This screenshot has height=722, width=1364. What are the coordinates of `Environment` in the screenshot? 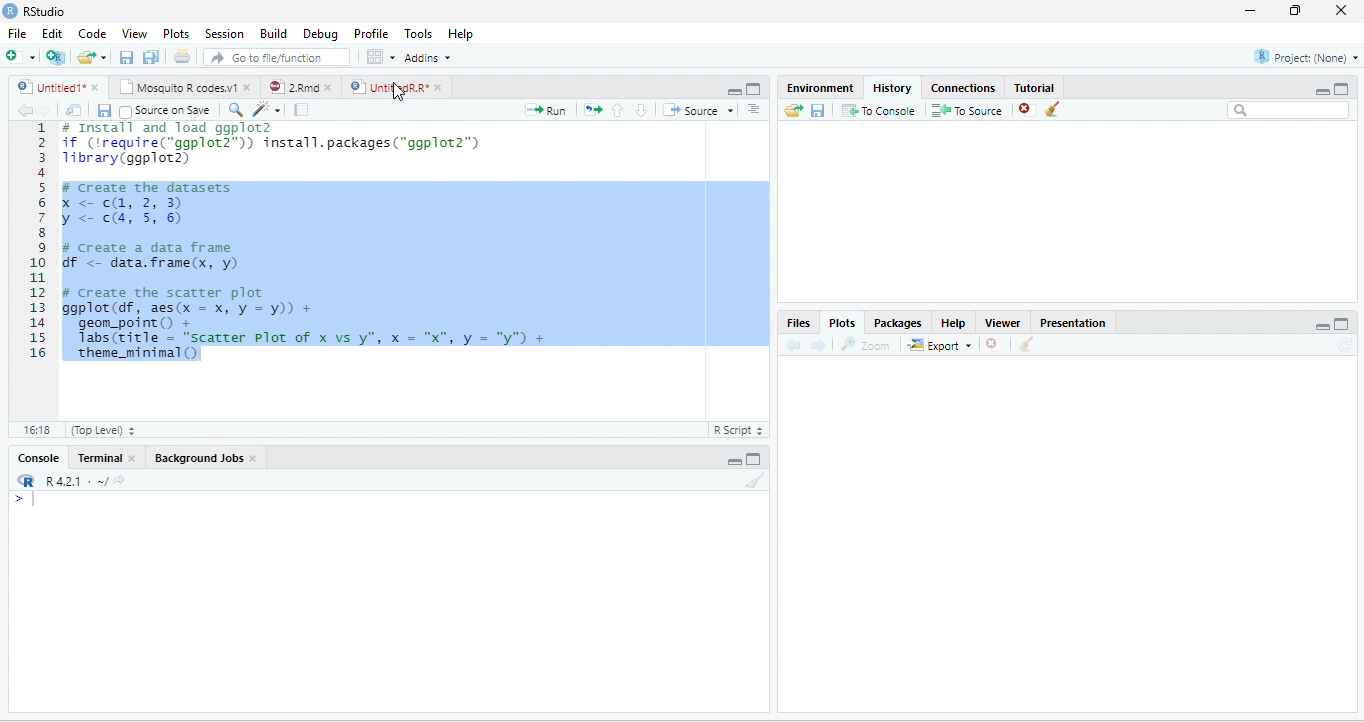 It's located at (820, 88).